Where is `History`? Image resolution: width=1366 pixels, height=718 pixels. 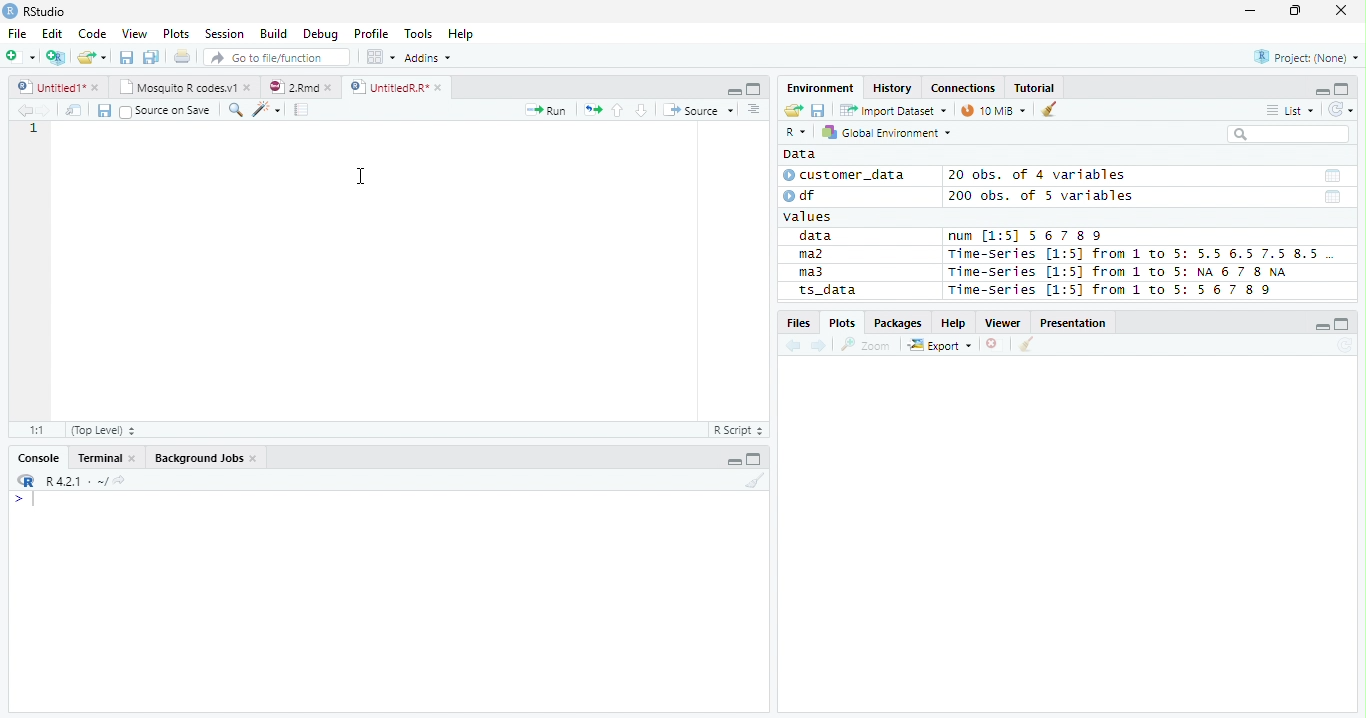 History is located at coordinates (894, 89).